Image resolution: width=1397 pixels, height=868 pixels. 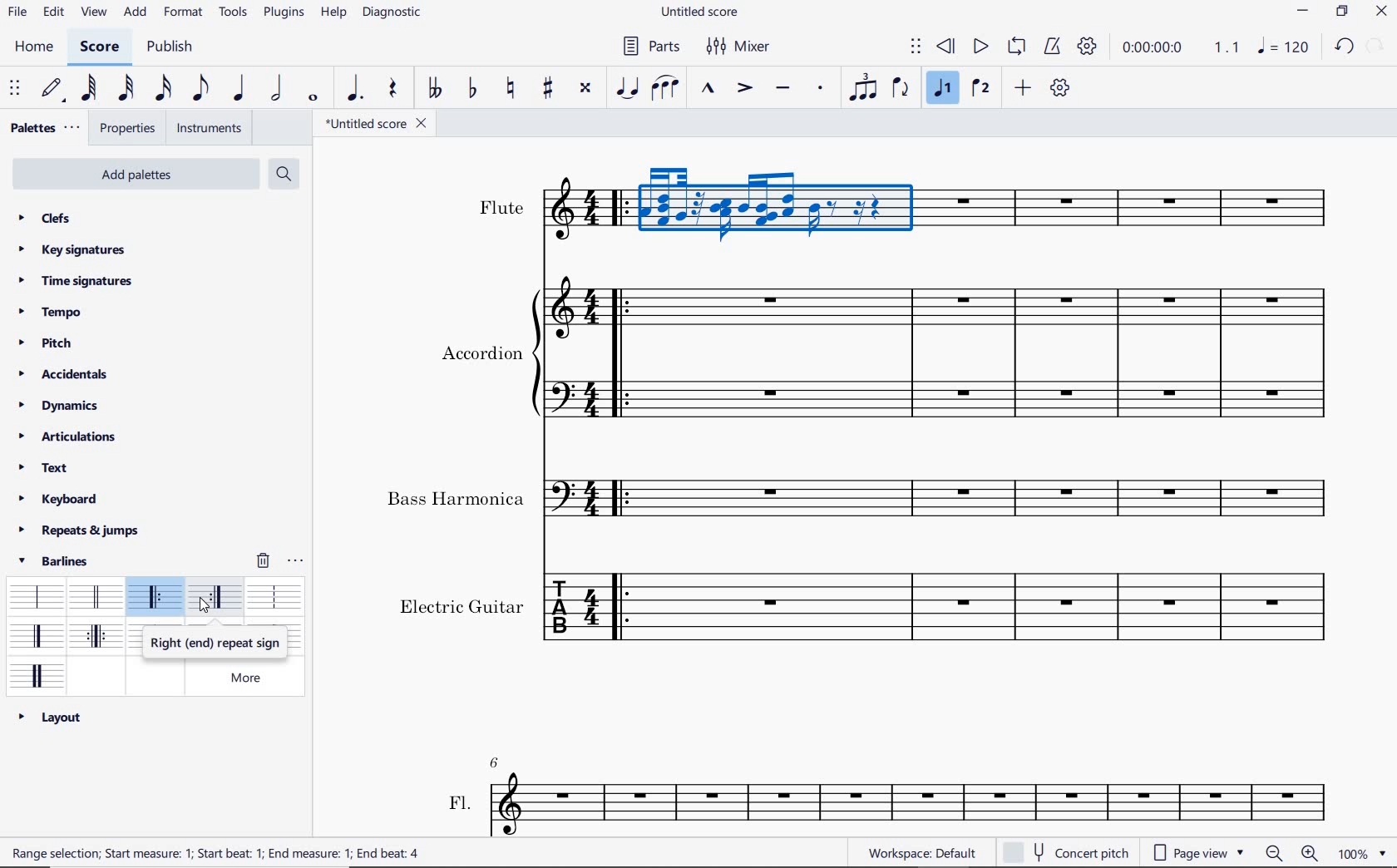 I want to click on 64th note, so click(x=87, y=89).